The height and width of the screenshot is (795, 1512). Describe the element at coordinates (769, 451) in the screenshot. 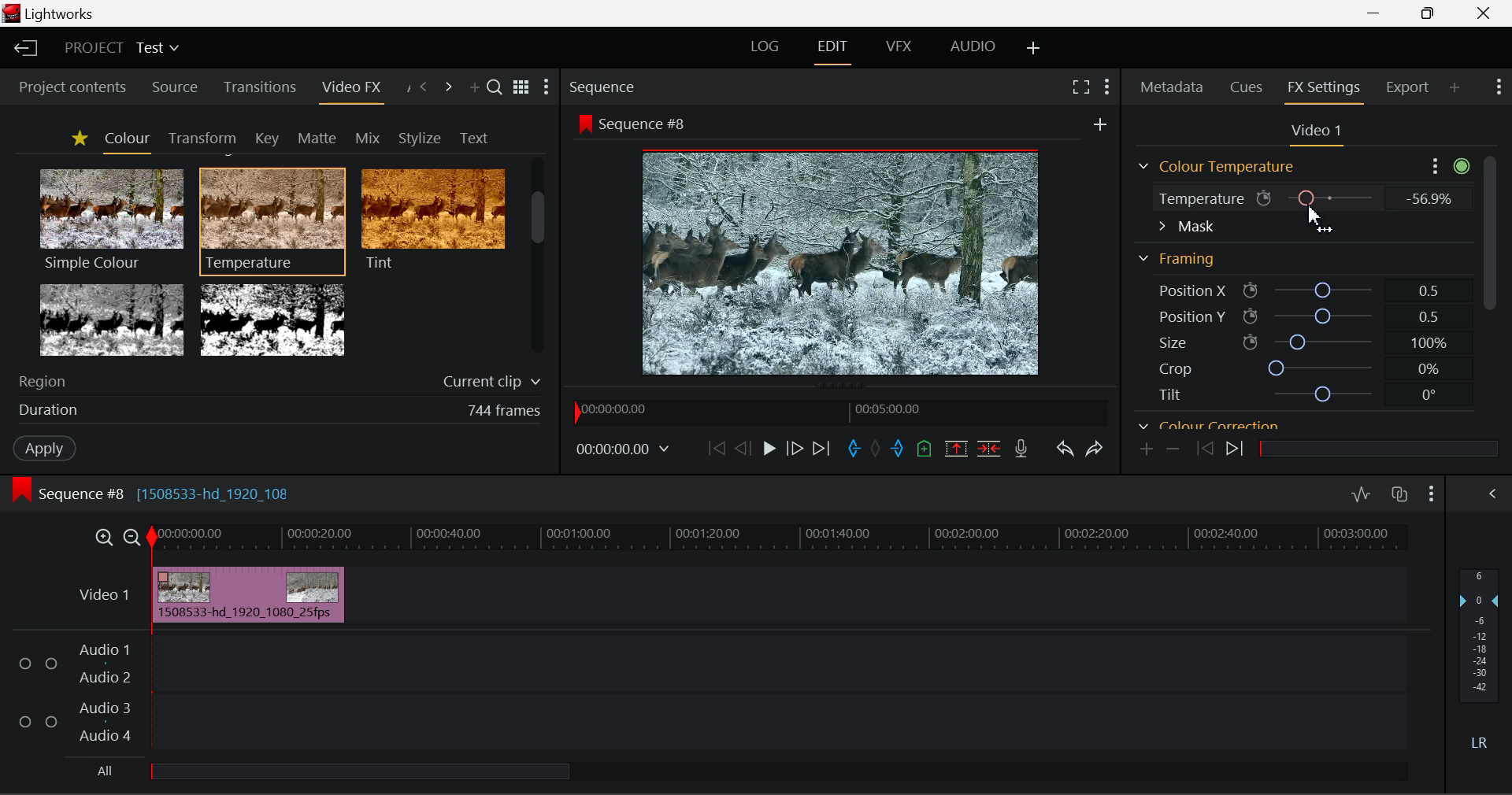

I see `Play` at that location.